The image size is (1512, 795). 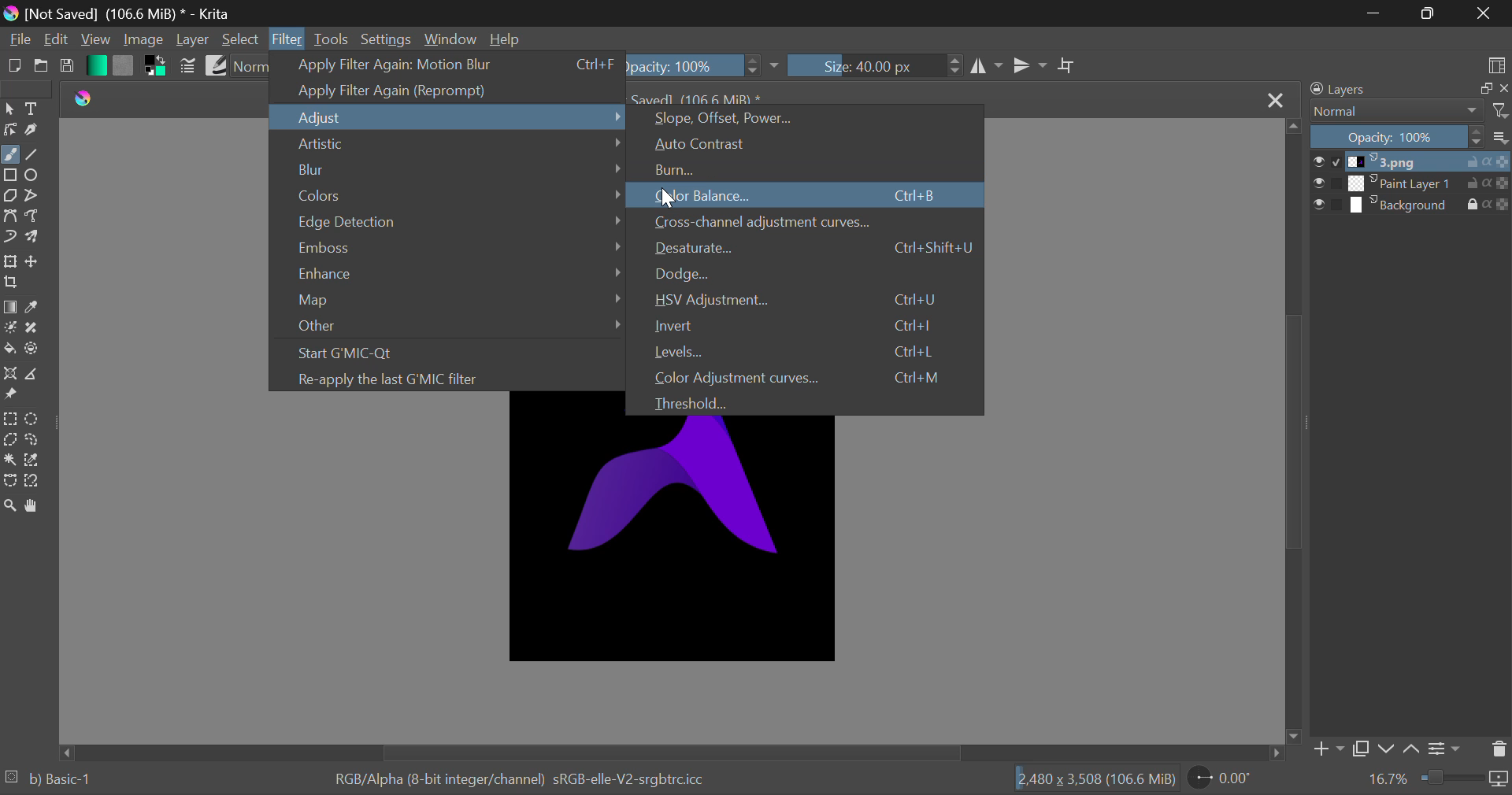 I want to click on Color Adjustment Curves, so click(x=811, y=375).